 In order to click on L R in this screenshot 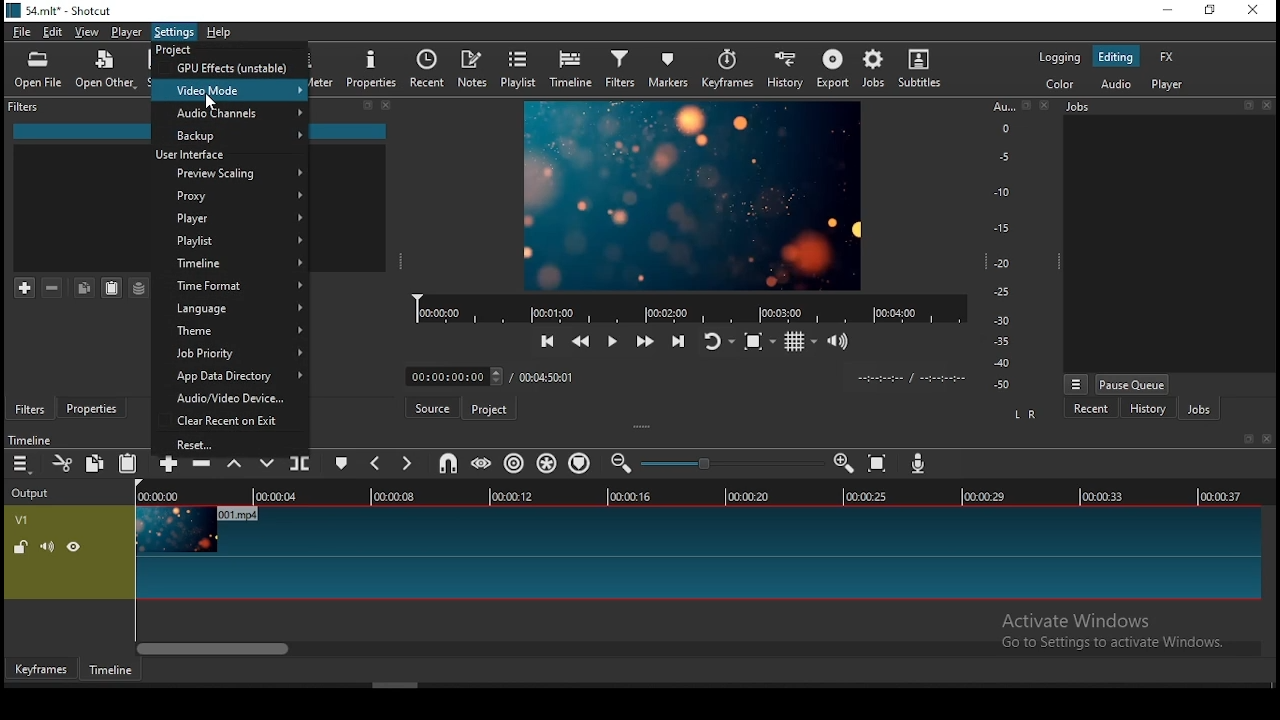, I will do `click(1027, 415)`.